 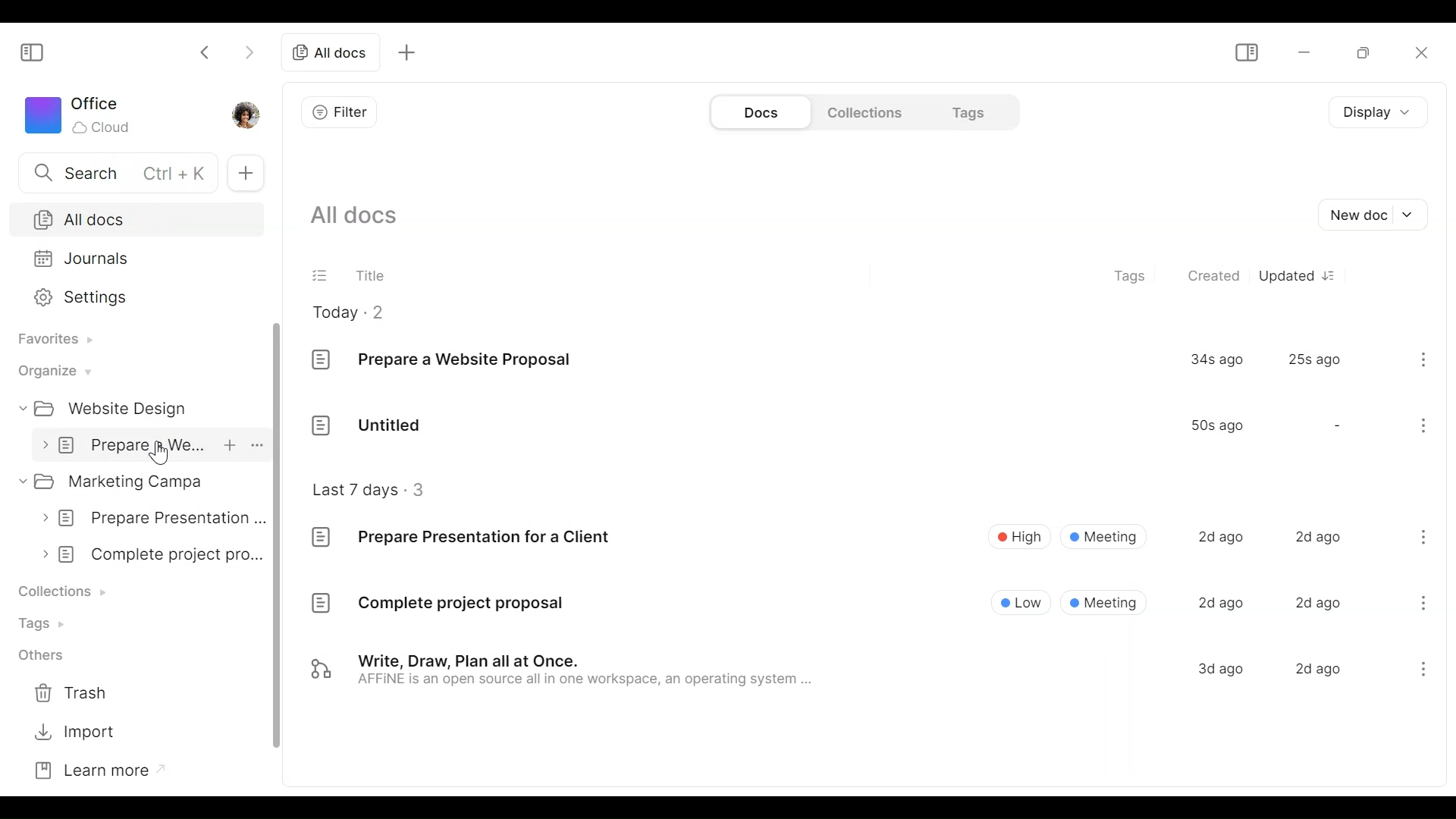 What do you see at coordinates (338, 111) in the screenshot?
I see `Filter` at bounding box center [338, 111].